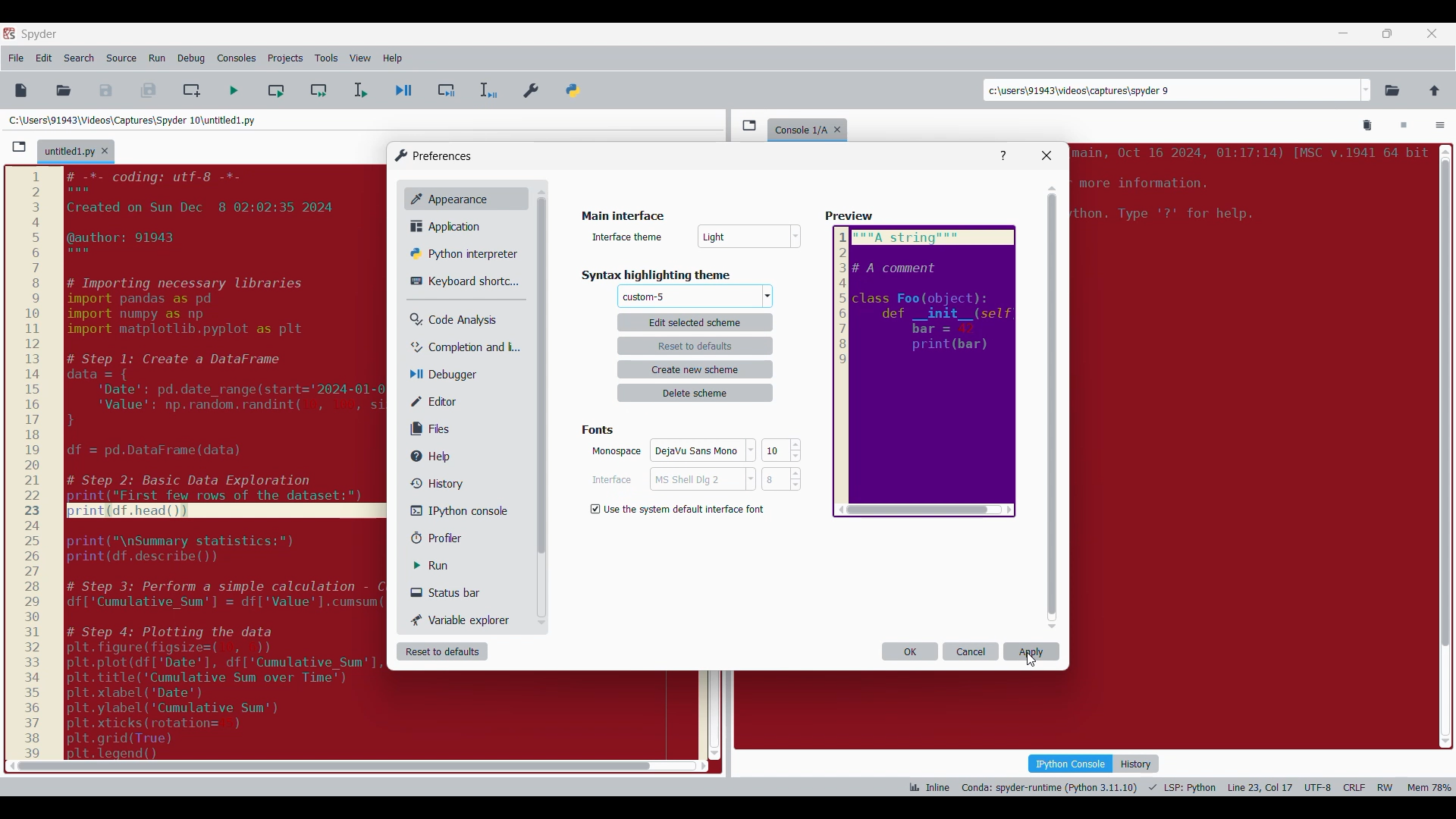  Describe the element at coordinates (329, 765) in the screenshot. I see `scroll bar` at that location.